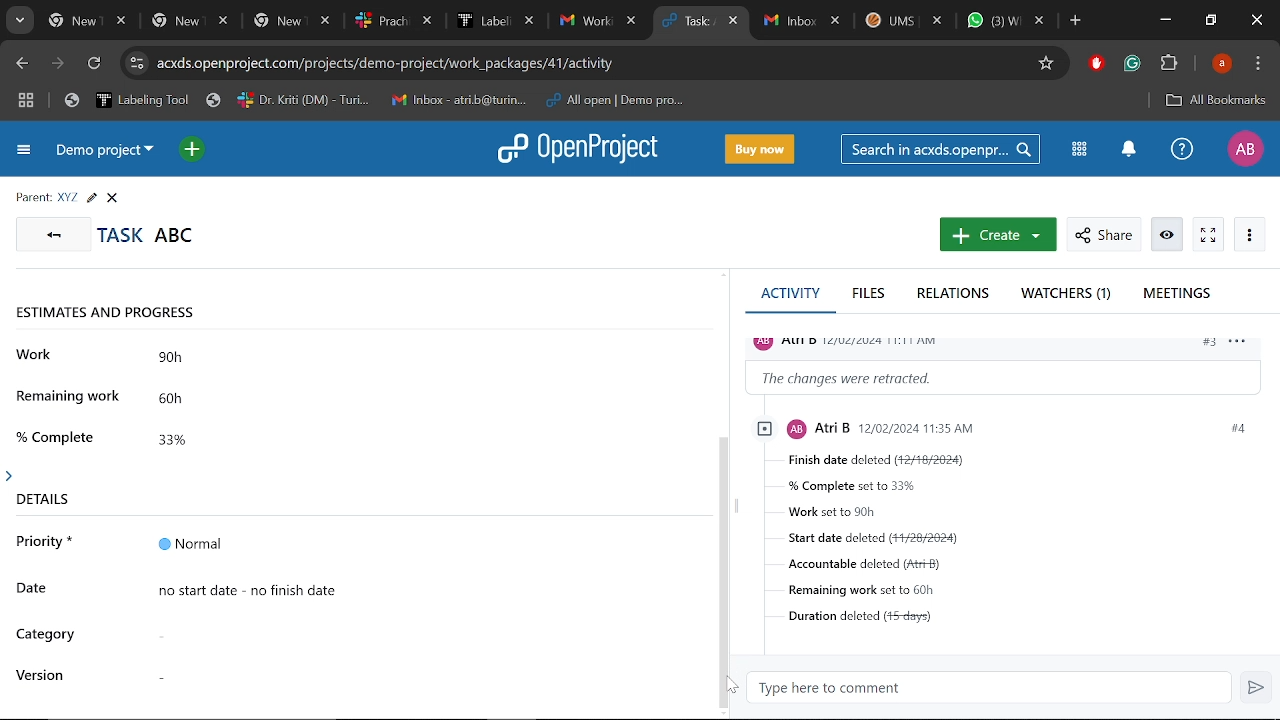 Image resolution: width=1280 pixels, height=720 pixels. I want to click on Task details, so click(1026, 548).